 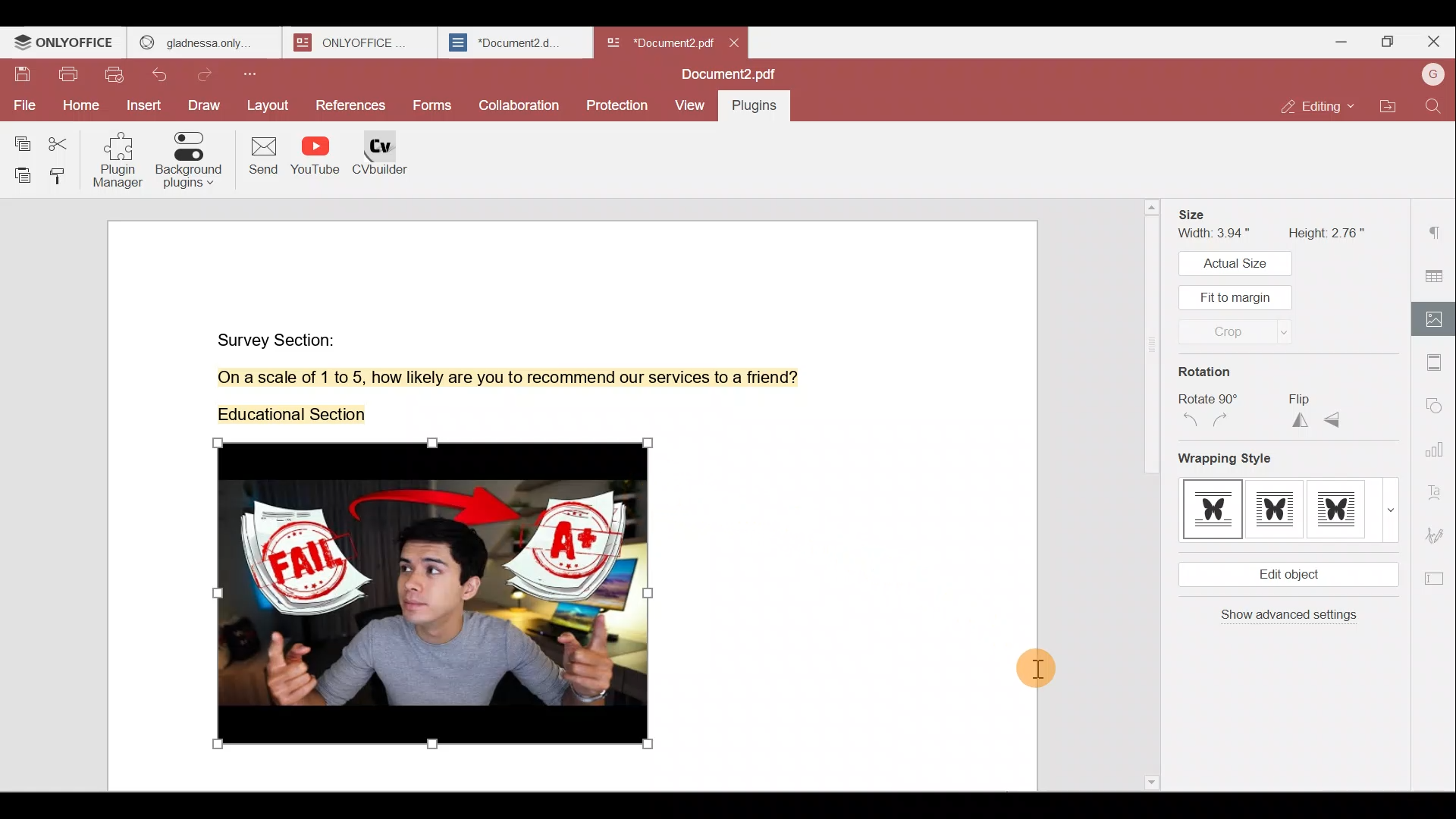 What do you see at coordinates (514, 43) in the screenshot?
I see `Document2.d` at bounding box center [514, 43].